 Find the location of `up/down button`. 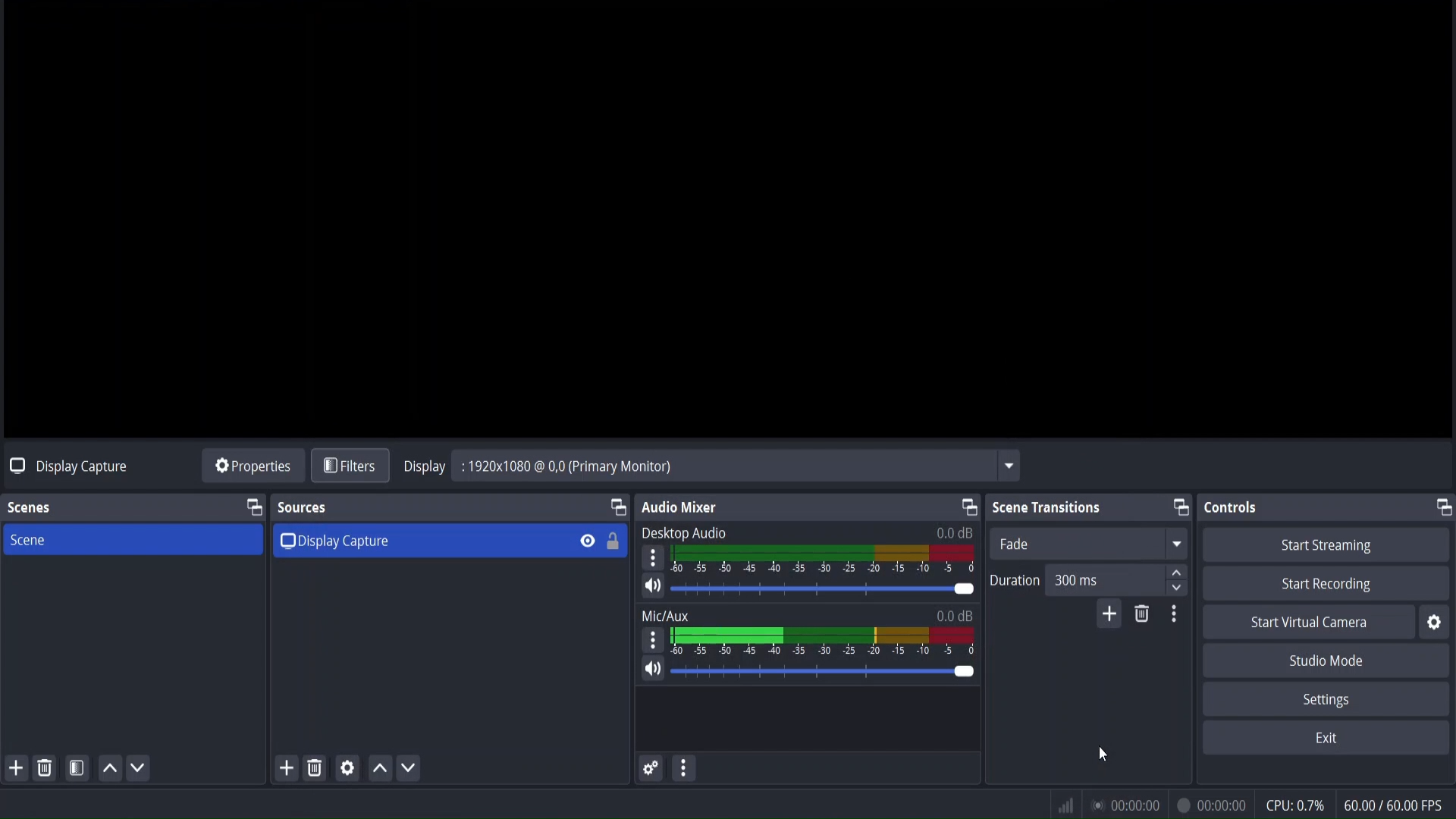

up/down button is located at coordinates (1181, 560).